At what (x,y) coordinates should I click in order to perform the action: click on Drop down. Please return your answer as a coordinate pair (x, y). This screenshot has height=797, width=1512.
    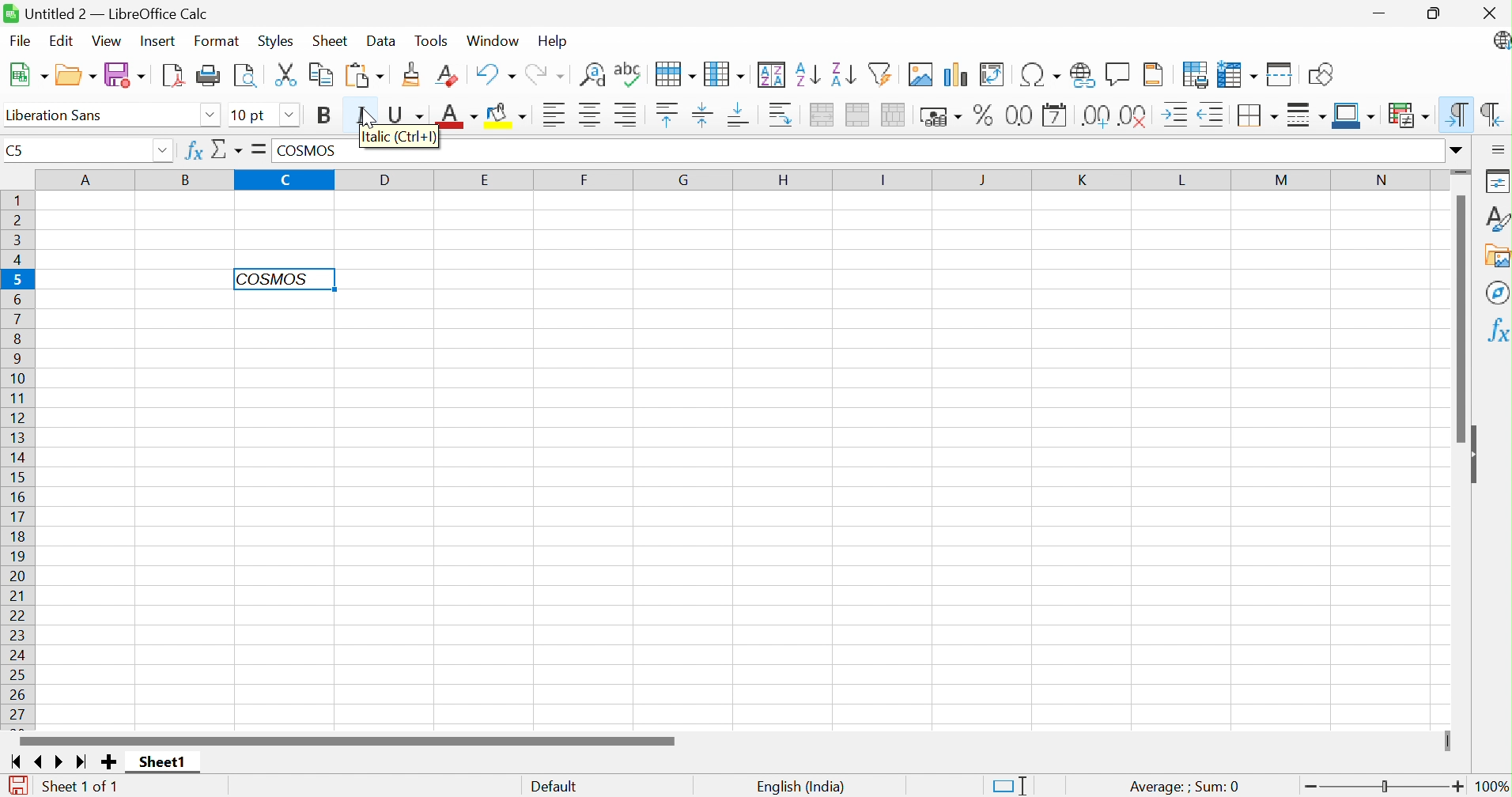
    Looking at the image, I should click on (210, 117).